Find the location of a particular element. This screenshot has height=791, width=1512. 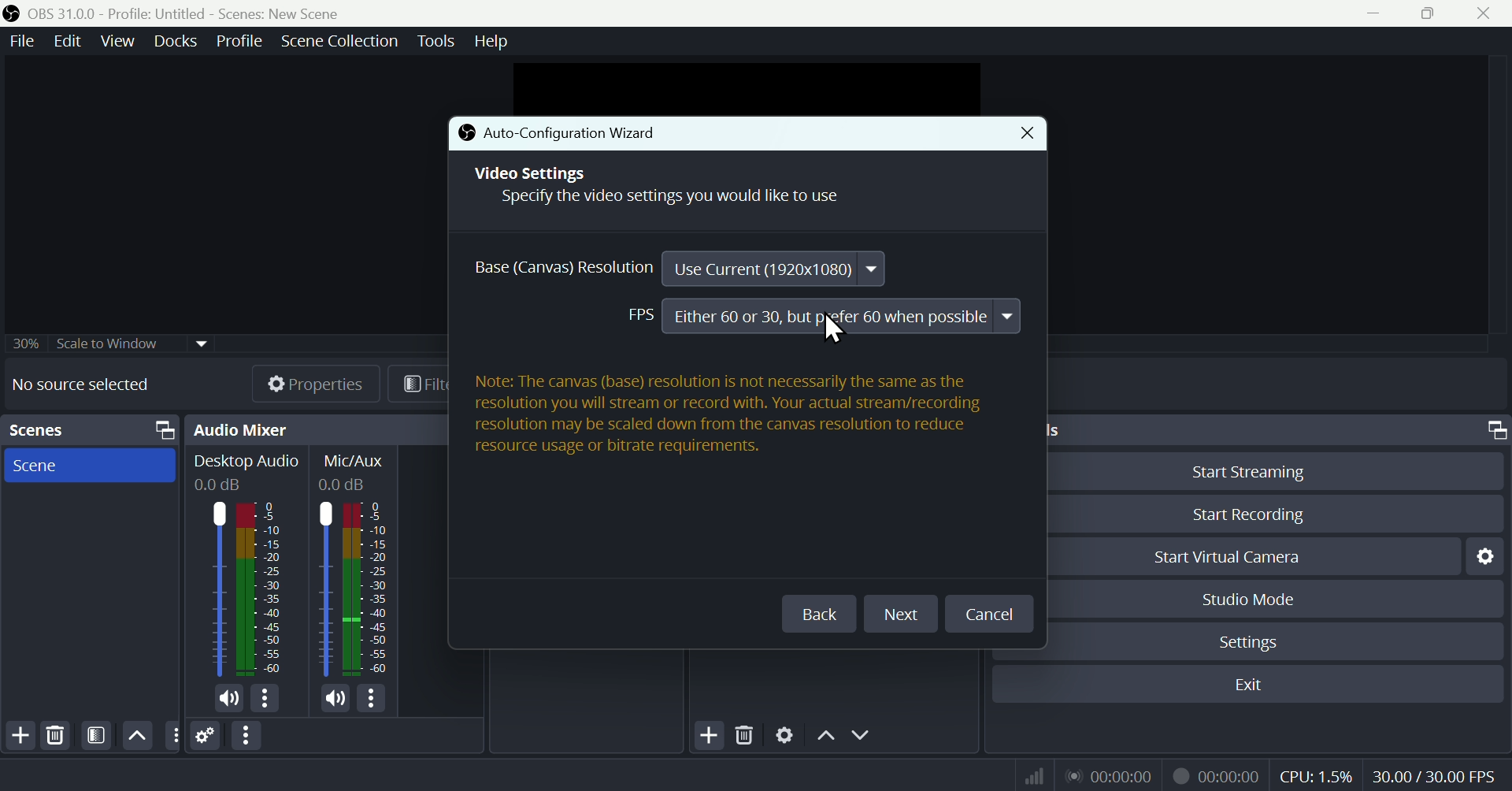

Either 60 or 30, but prefer 60 when possible is located at coordinates (843, 316).